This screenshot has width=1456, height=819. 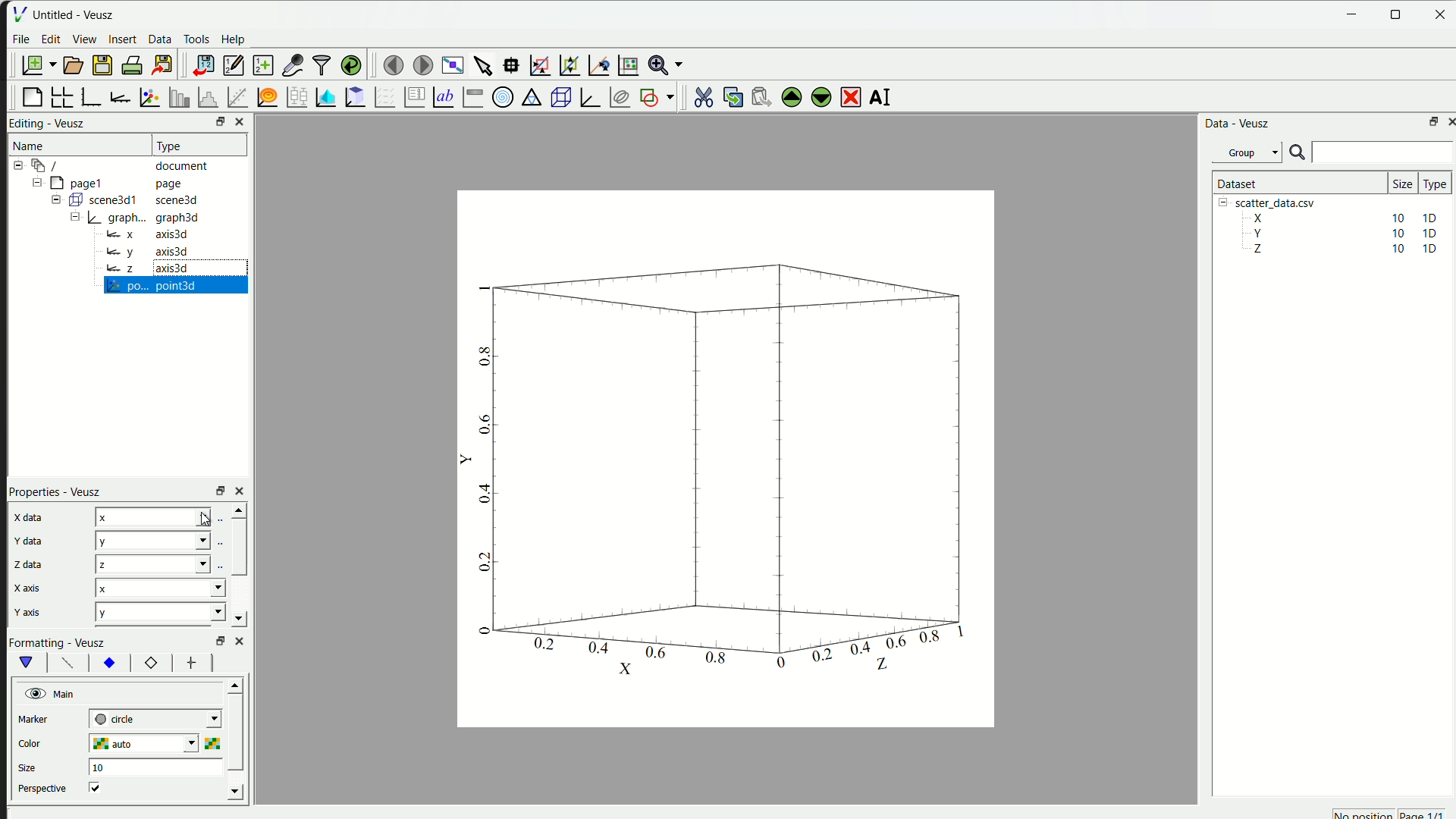 I want to click on add the shap to the plot, so click(x=656, y=96).